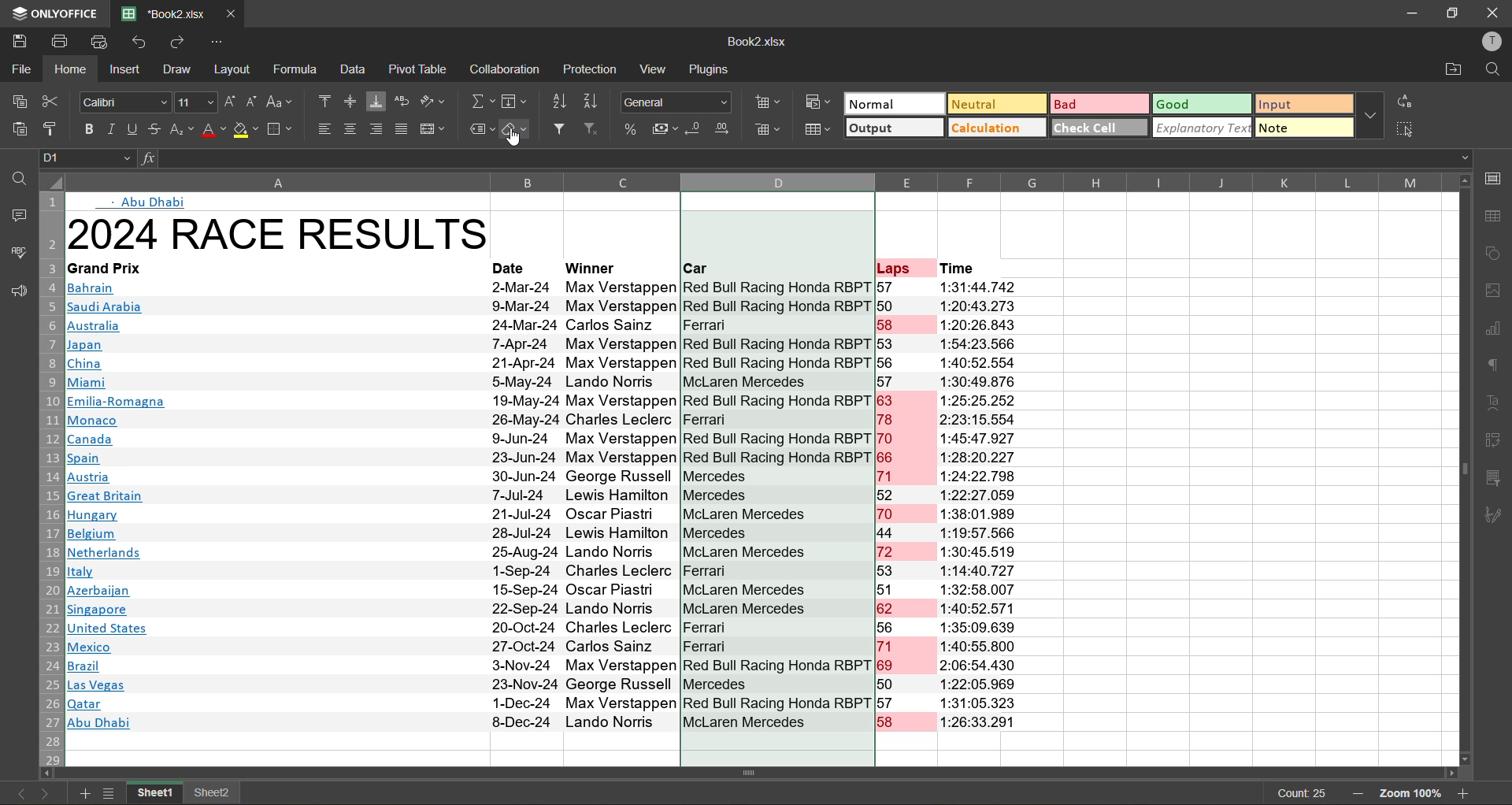 The height and width of the screenshot is (805, 1512). Describe the element at coordinates (436, 130) in the screenshot. I see `merge and center` at that location.